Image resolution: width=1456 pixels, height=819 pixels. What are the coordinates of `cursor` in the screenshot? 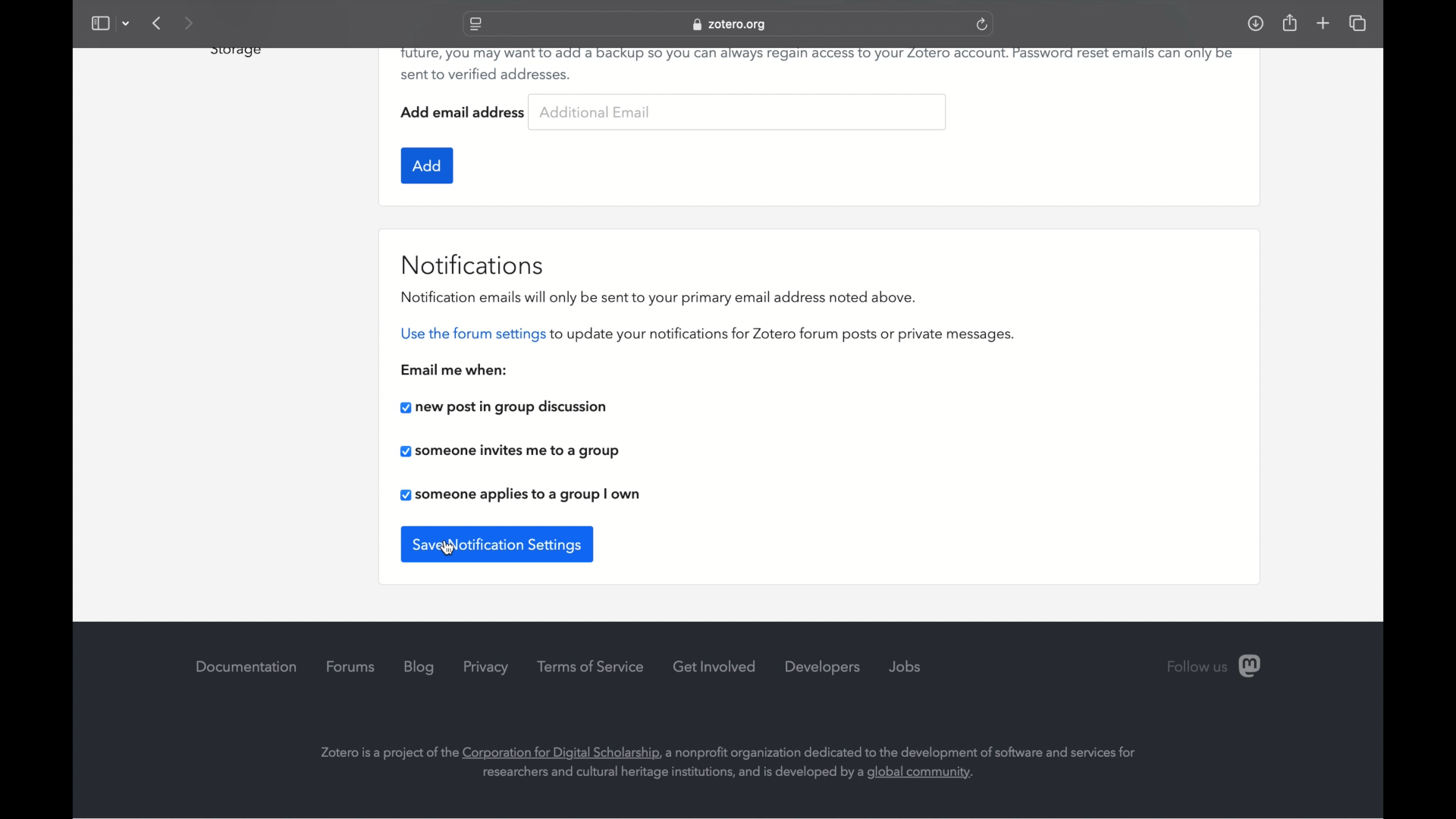 It's located at (447, 548).